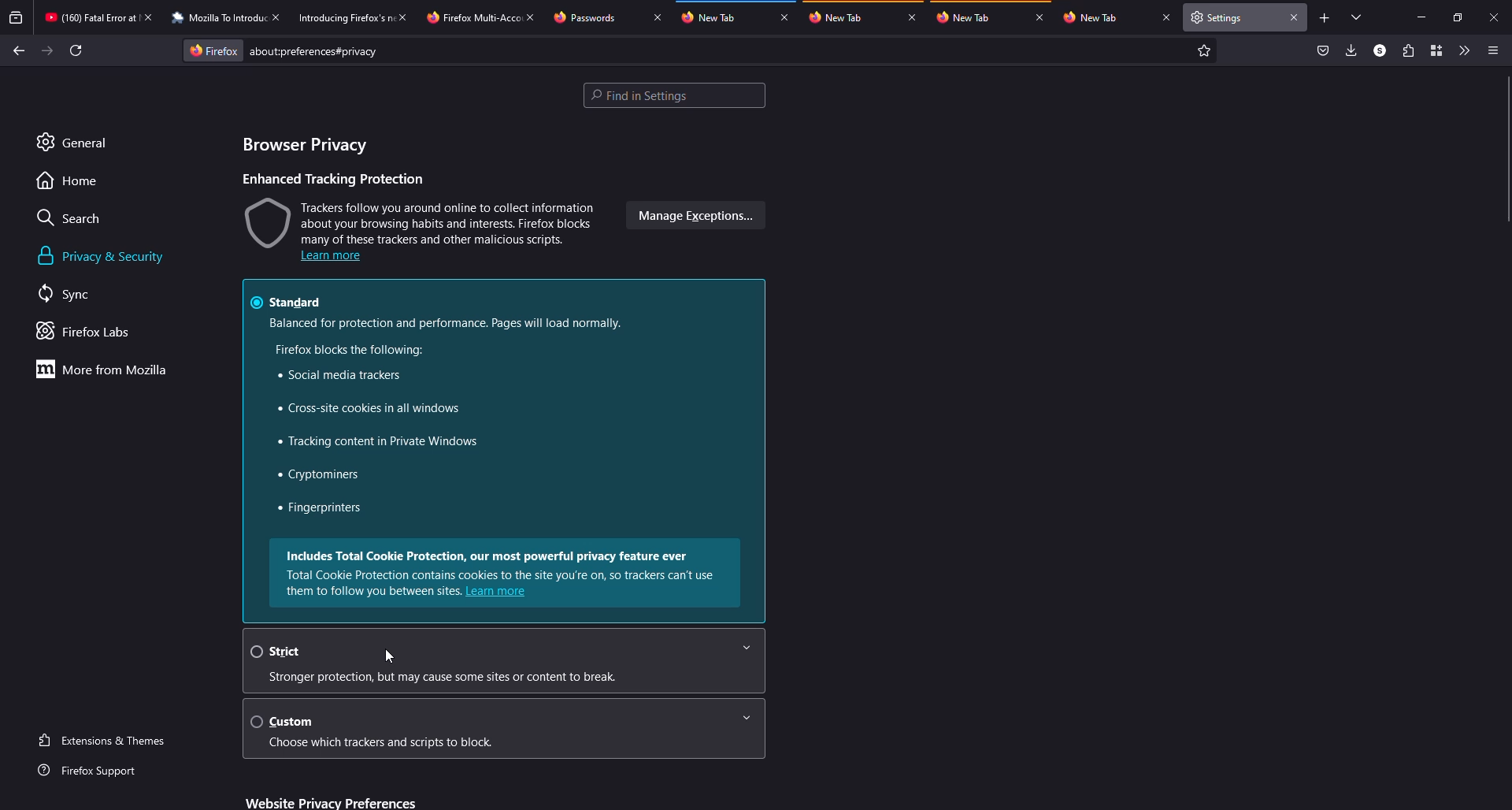  I want to click on expand, so click(747, 647).